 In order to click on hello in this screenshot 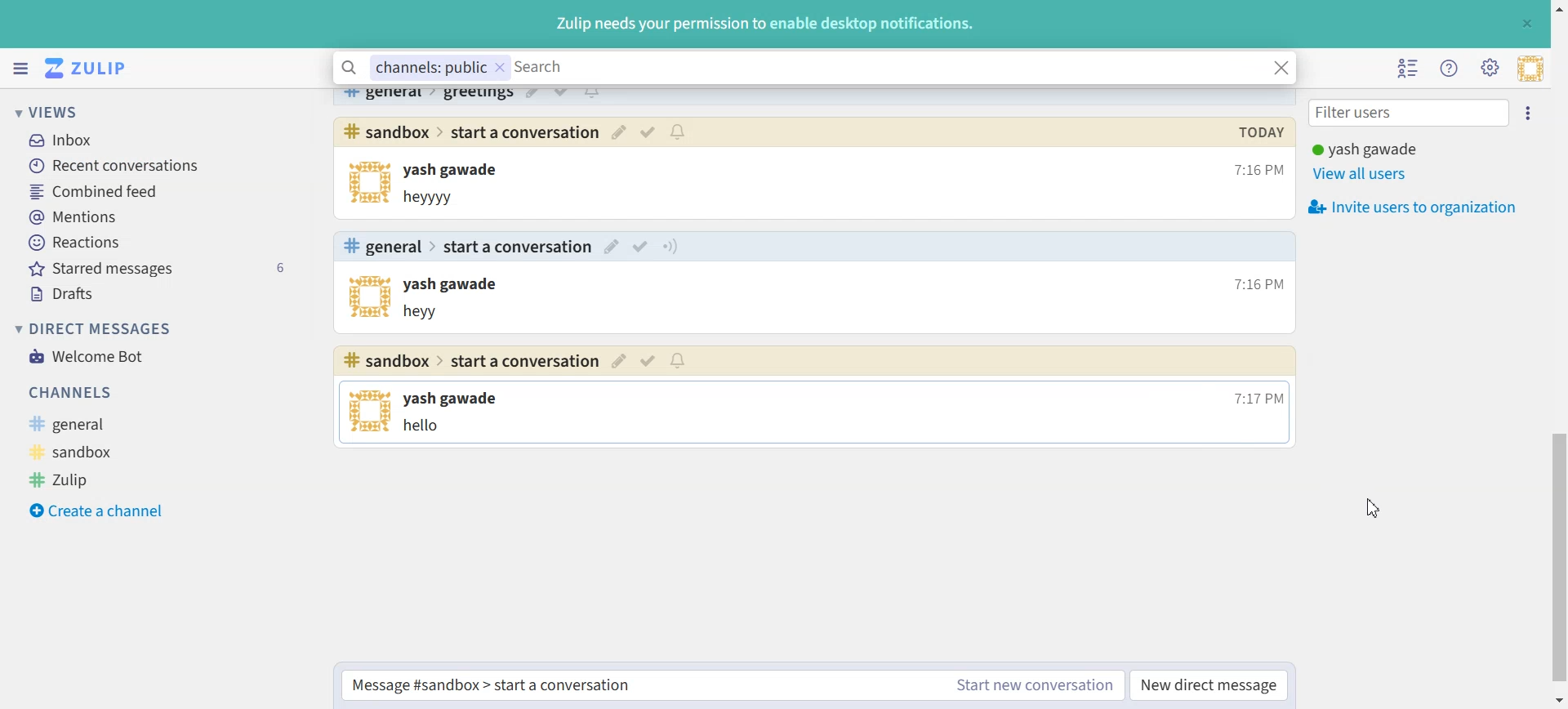, I will do `click(428, 427)`.